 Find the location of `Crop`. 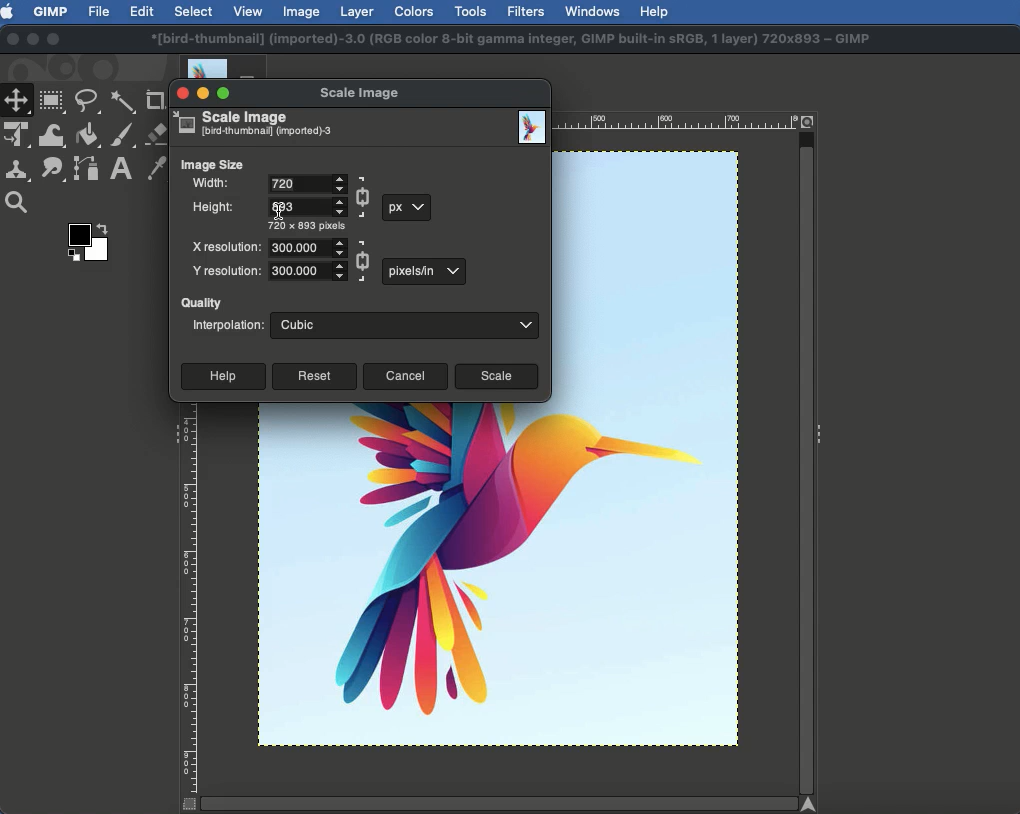

Crop is located at coordinates (154, 100).